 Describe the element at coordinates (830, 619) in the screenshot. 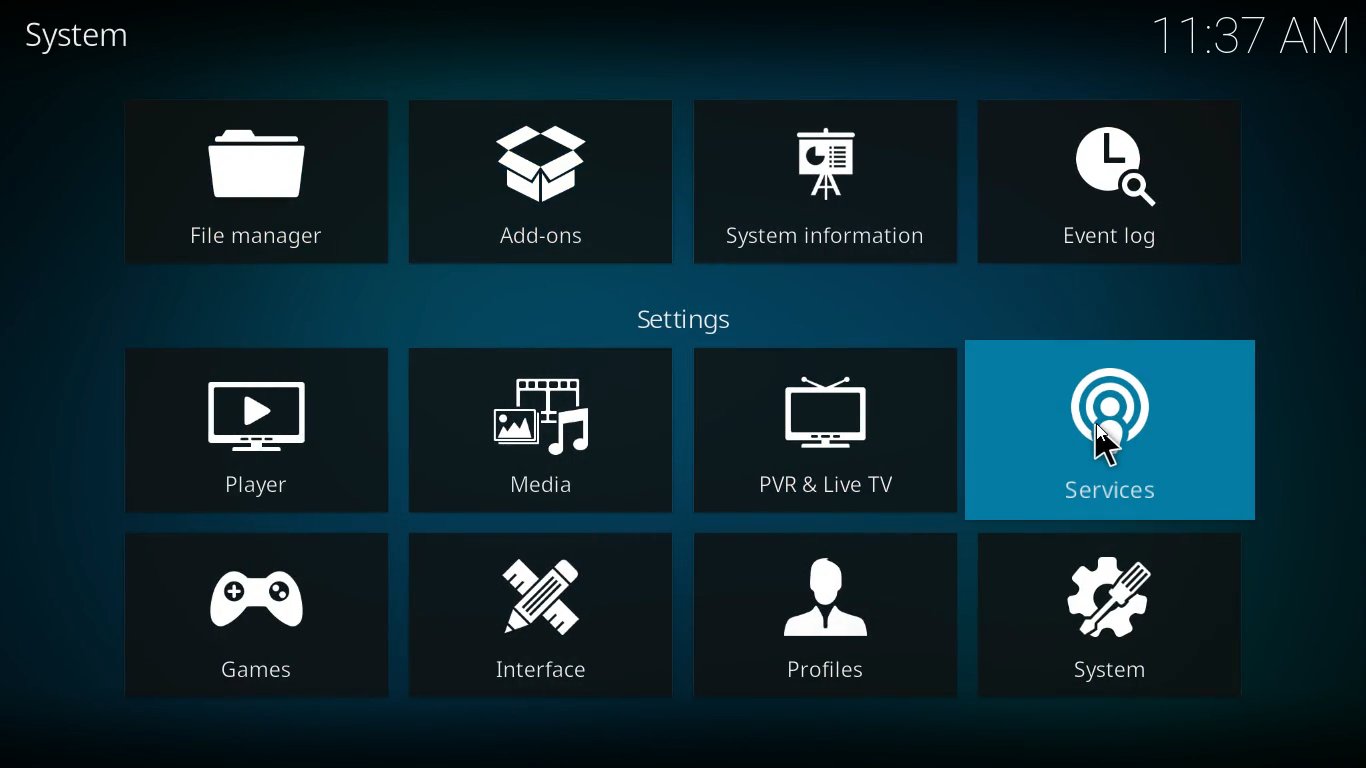

I see `profiles` at that location.